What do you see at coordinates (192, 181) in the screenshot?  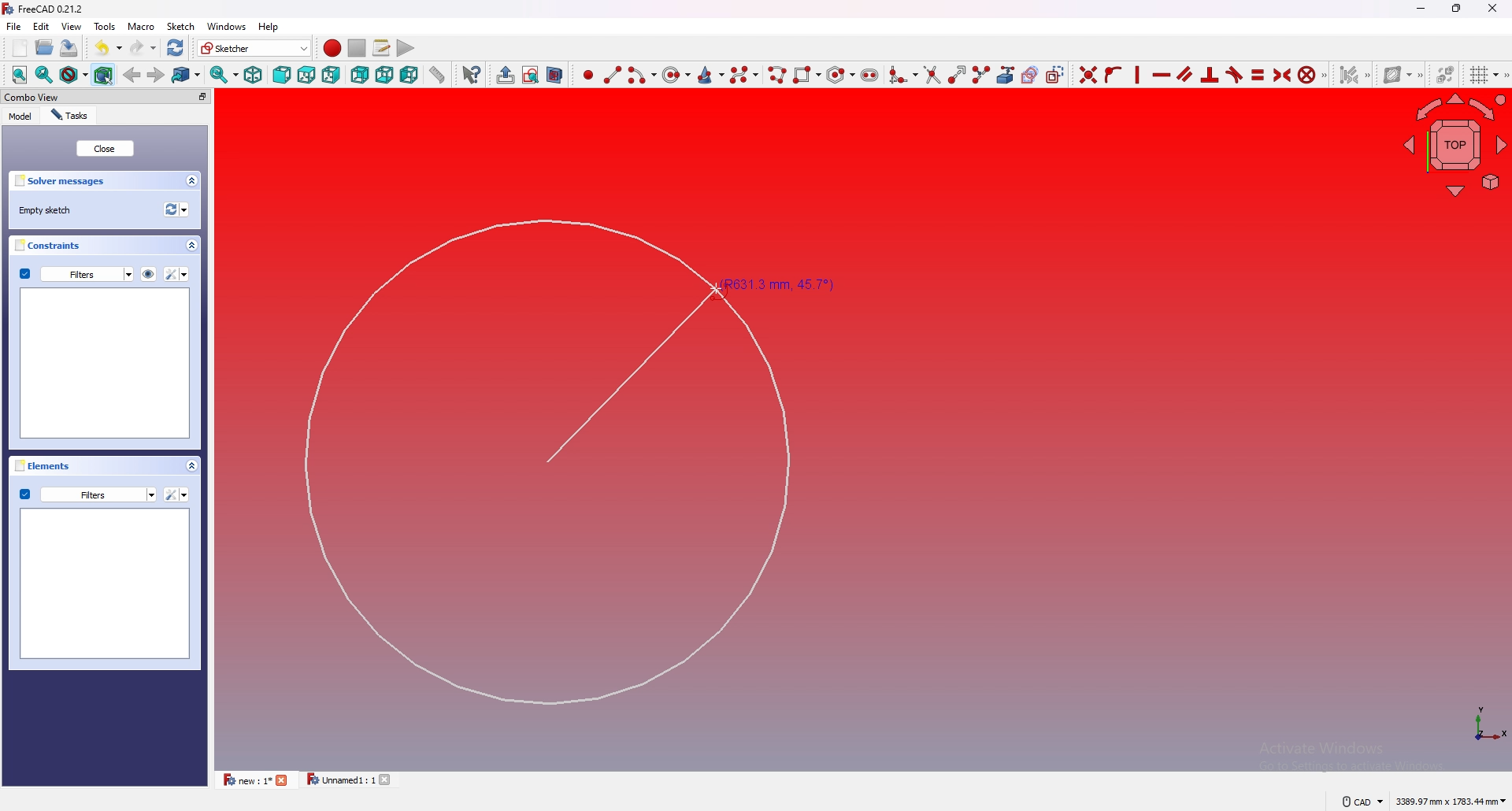 I see `collapse` at bounding box center [192, 181].